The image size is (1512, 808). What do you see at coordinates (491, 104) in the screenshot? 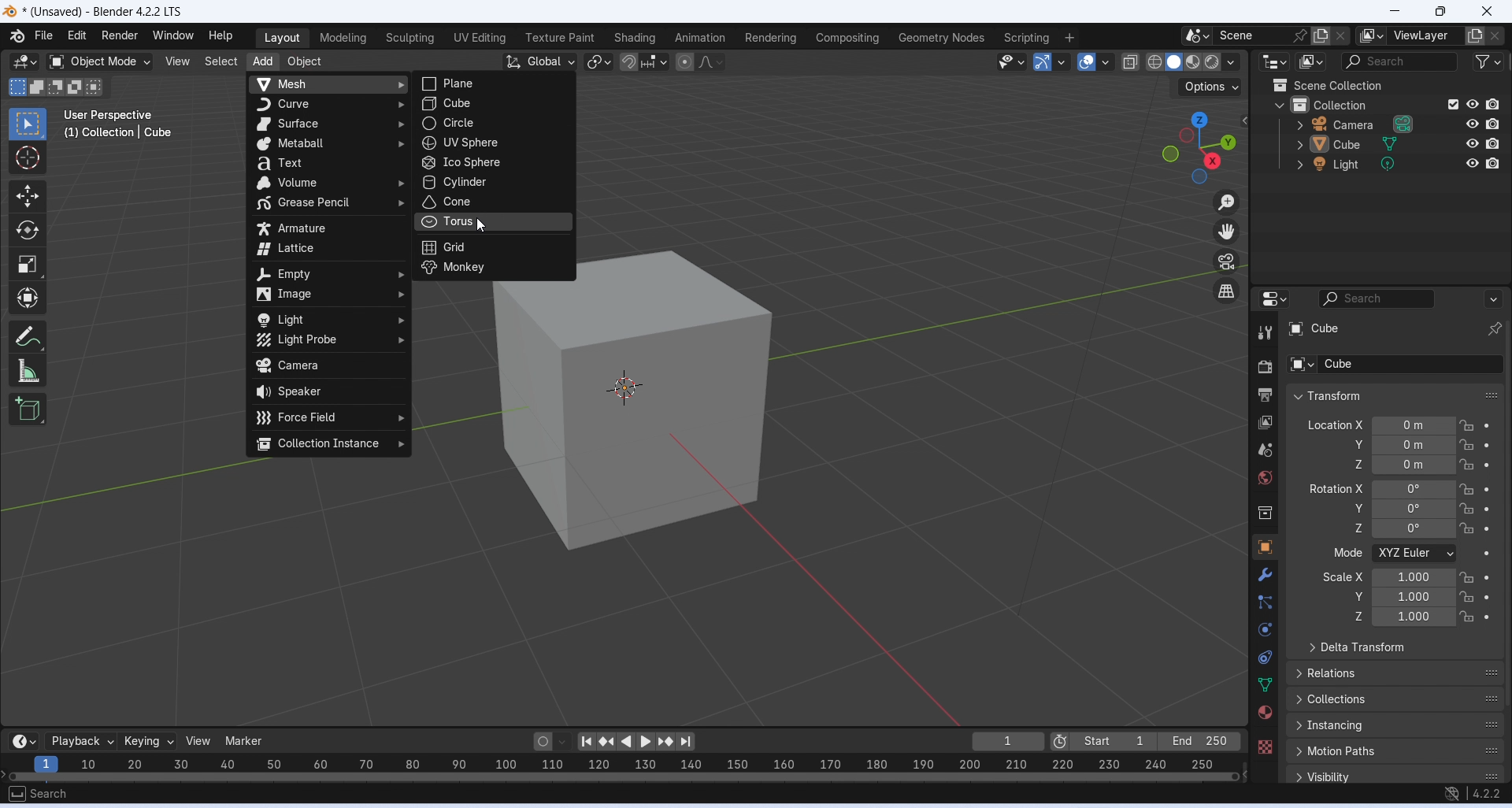
I see `cube` at bounding box center [491, 104].